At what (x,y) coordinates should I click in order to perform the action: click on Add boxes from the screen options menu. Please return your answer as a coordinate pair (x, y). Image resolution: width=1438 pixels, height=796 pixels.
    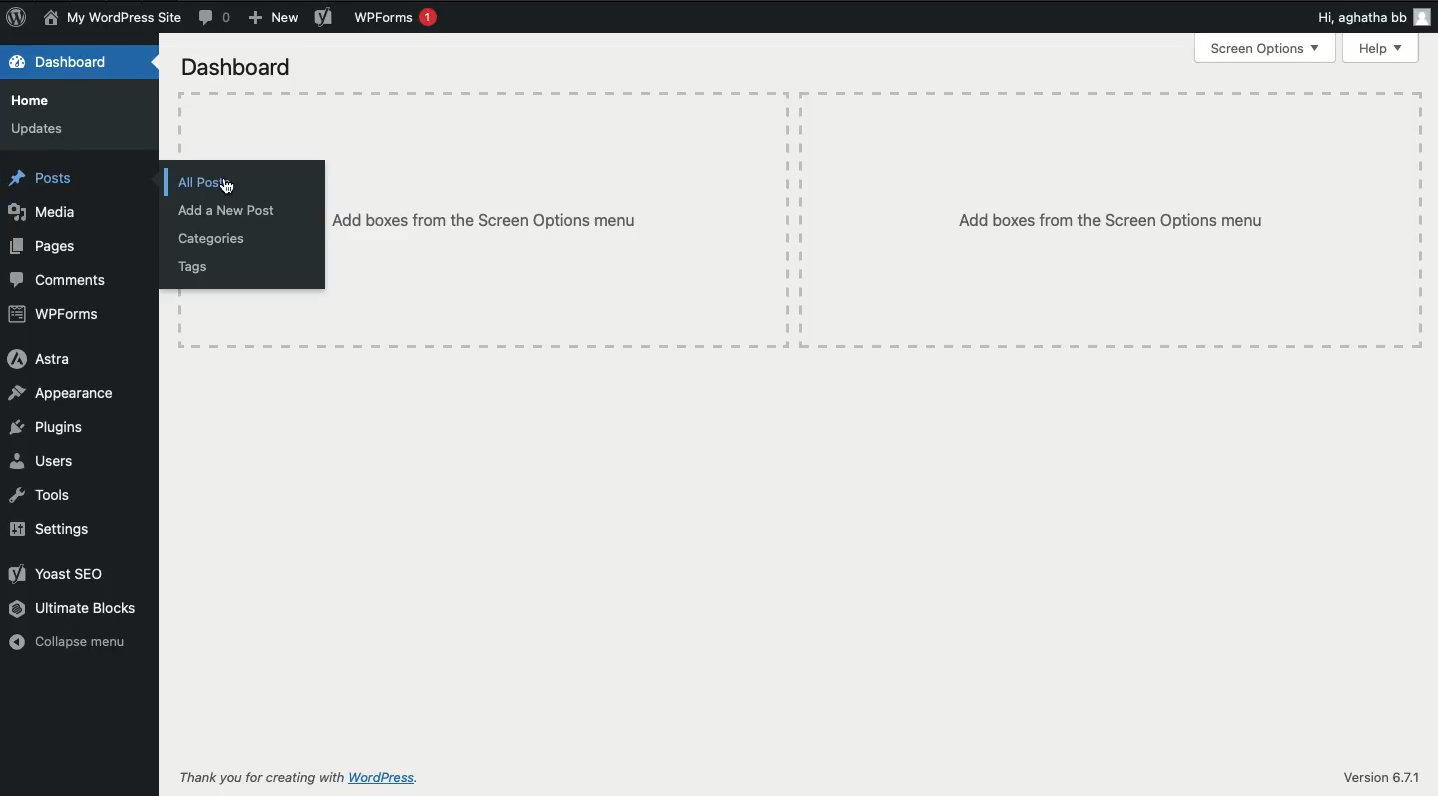
    Looking at the image, I should click on (1110, 221).